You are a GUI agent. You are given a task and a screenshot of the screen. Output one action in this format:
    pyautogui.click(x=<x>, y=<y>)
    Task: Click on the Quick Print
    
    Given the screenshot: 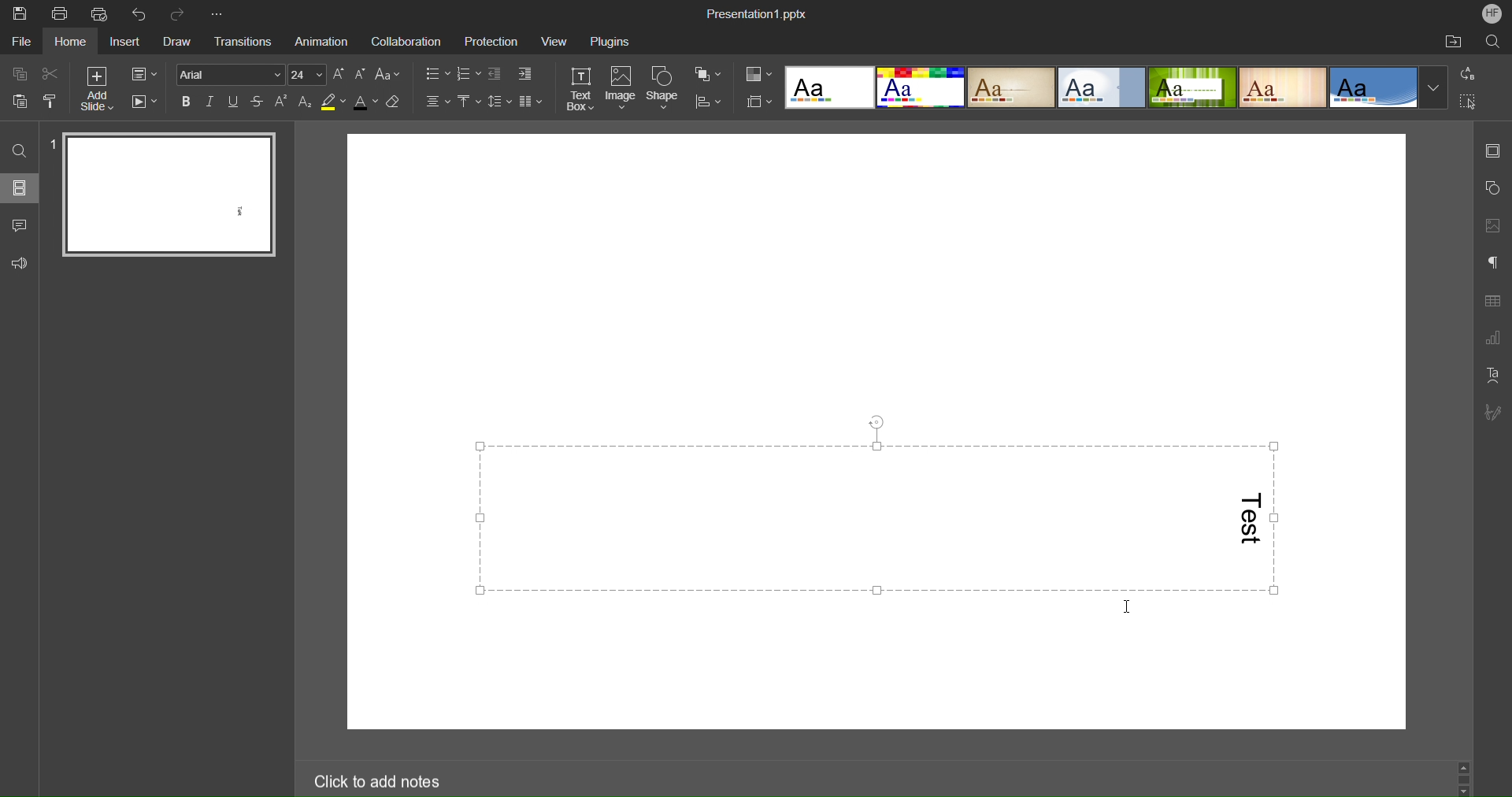 What is the action you would take?
    pyautogui.click(x=102, y=13)
    